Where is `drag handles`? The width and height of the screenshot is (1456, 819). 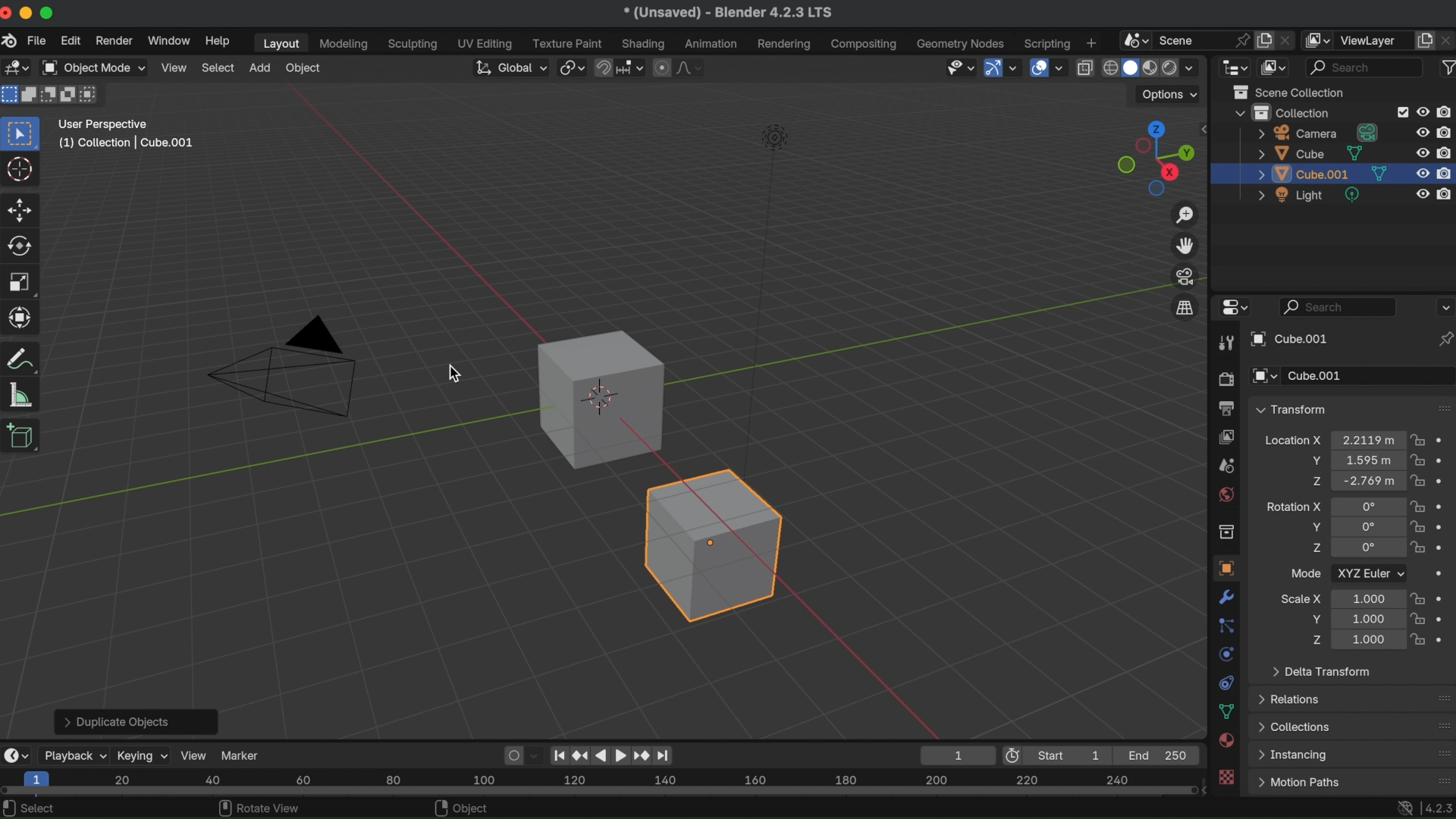
drag handles is located at coordinates (1442, 753).